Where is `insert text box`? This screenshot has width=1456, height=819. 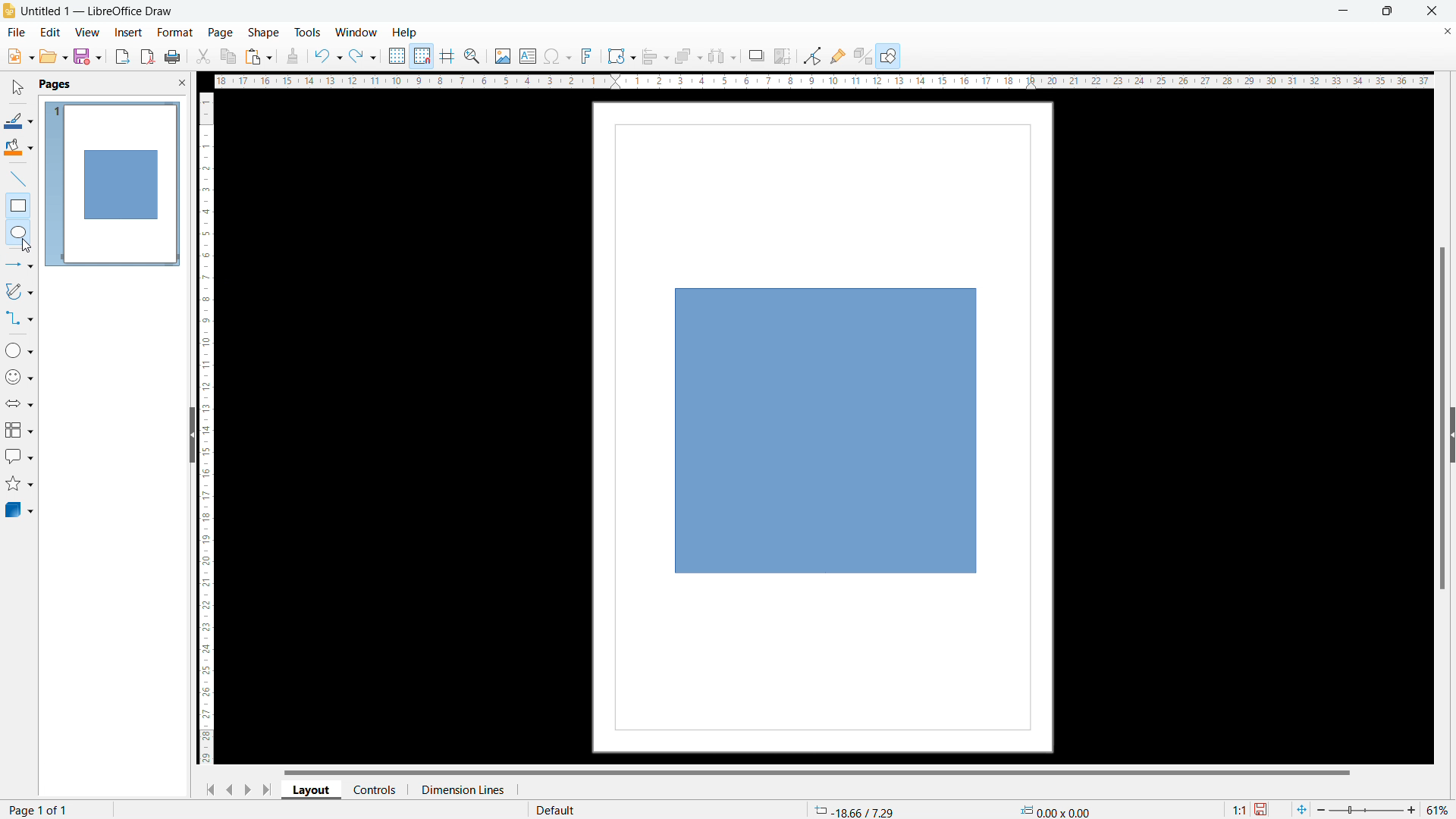
insert text box is located at coordinates (529, 55).